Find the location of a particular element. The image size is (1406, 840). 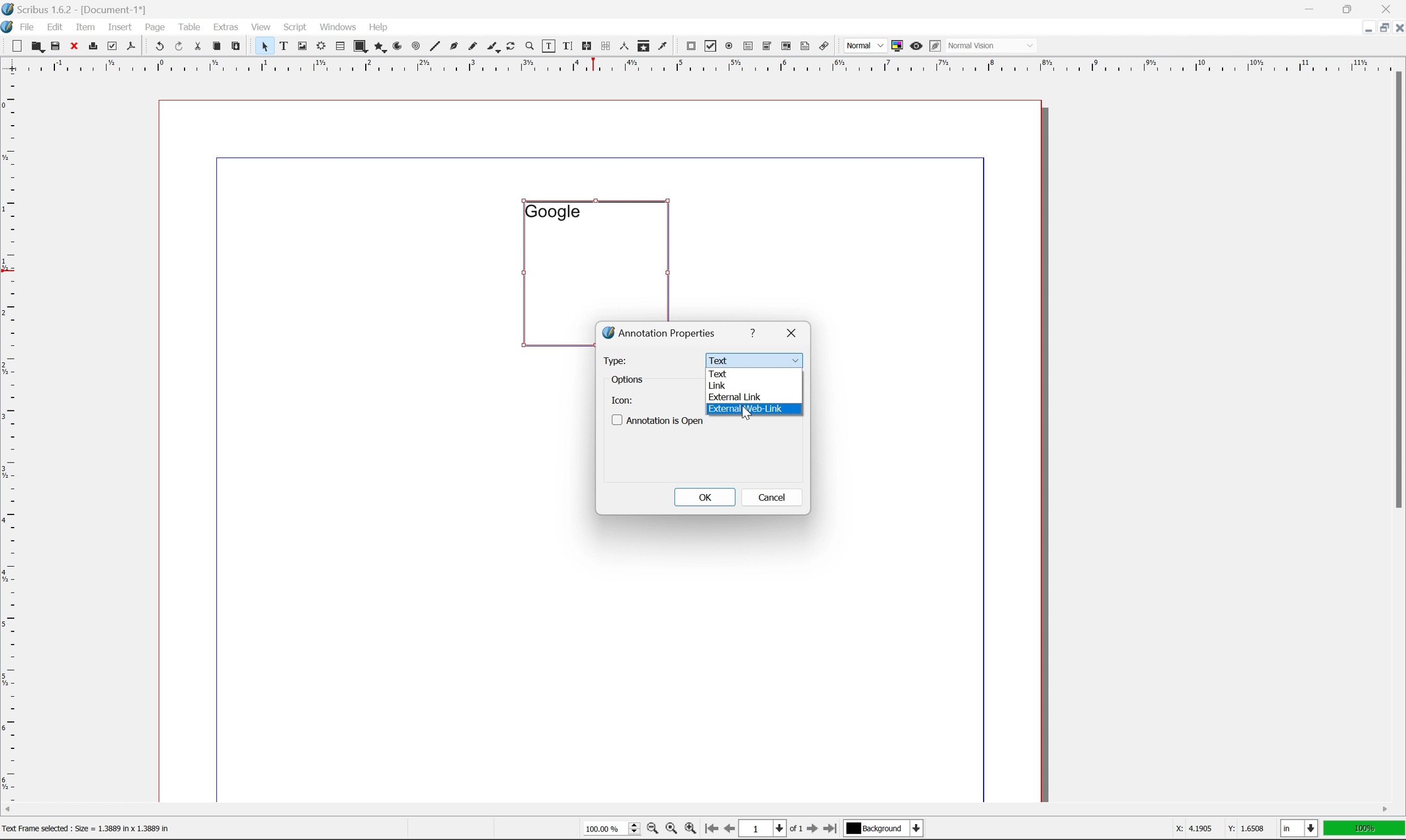

pdf radio button is located at coordinates (726, 46).